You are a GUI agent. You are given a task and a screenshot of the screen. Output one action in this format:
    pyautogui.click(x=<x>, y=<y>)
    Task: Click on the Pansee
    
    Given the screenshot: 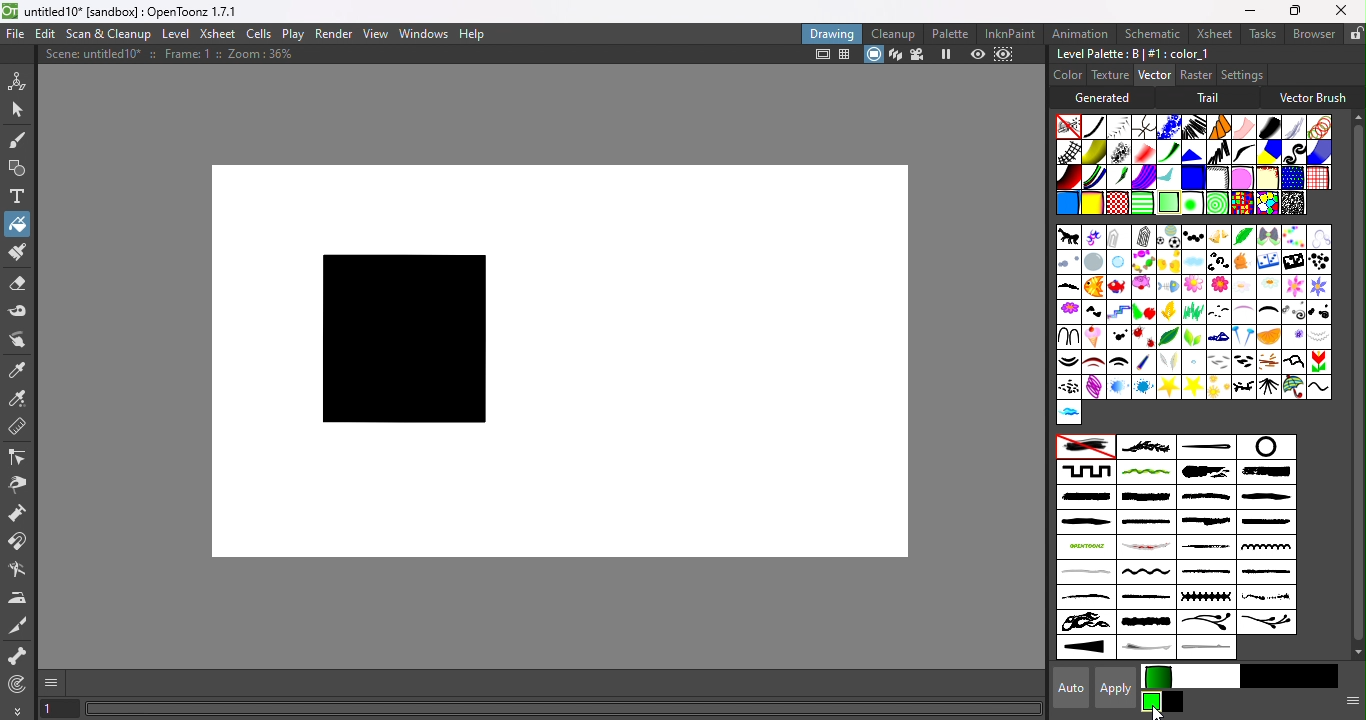 What is the action you would take?
    pyautogui.click(x=1294, y=336)
    